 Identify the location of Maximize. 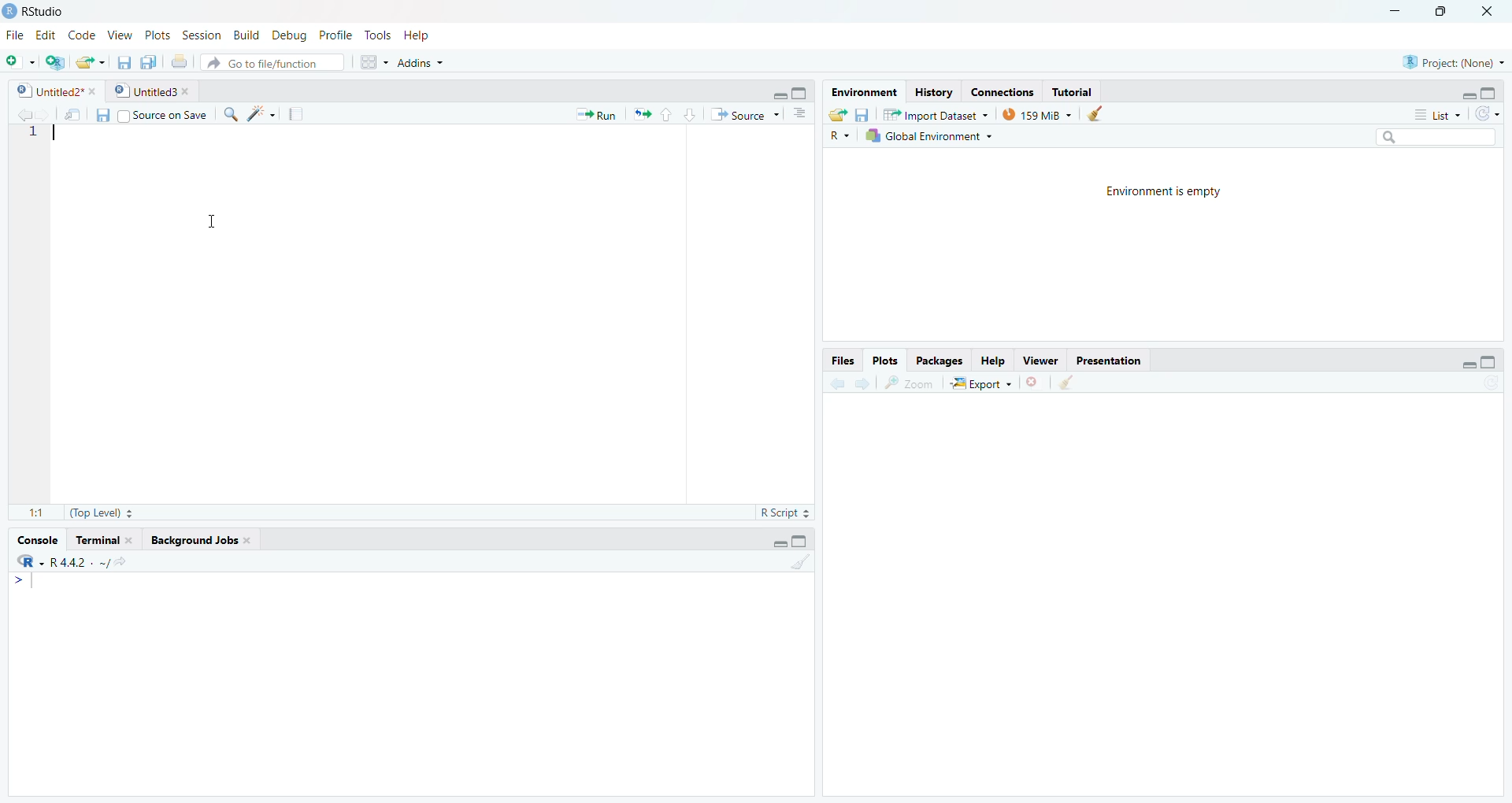
(800, 92).